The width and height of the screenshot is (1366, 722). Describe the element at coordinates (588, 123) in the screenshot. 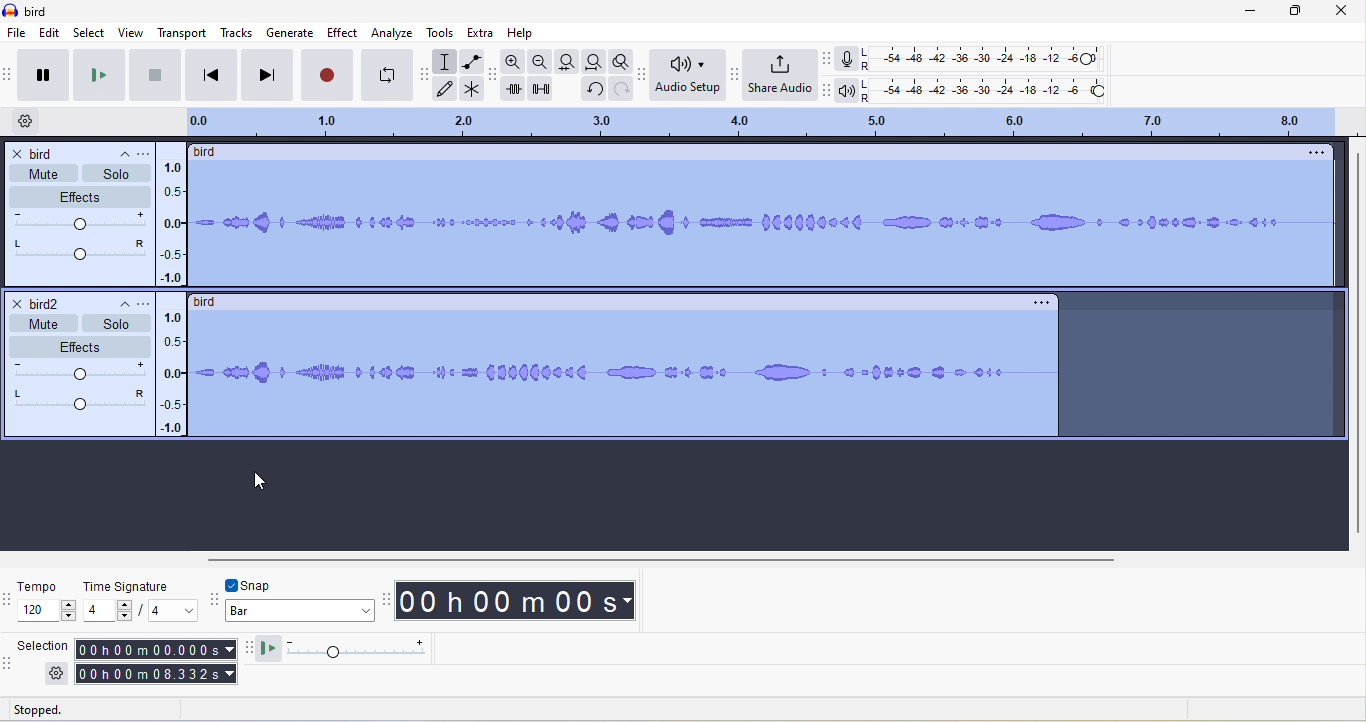

I see `click and drag to define a looping region` at that location.